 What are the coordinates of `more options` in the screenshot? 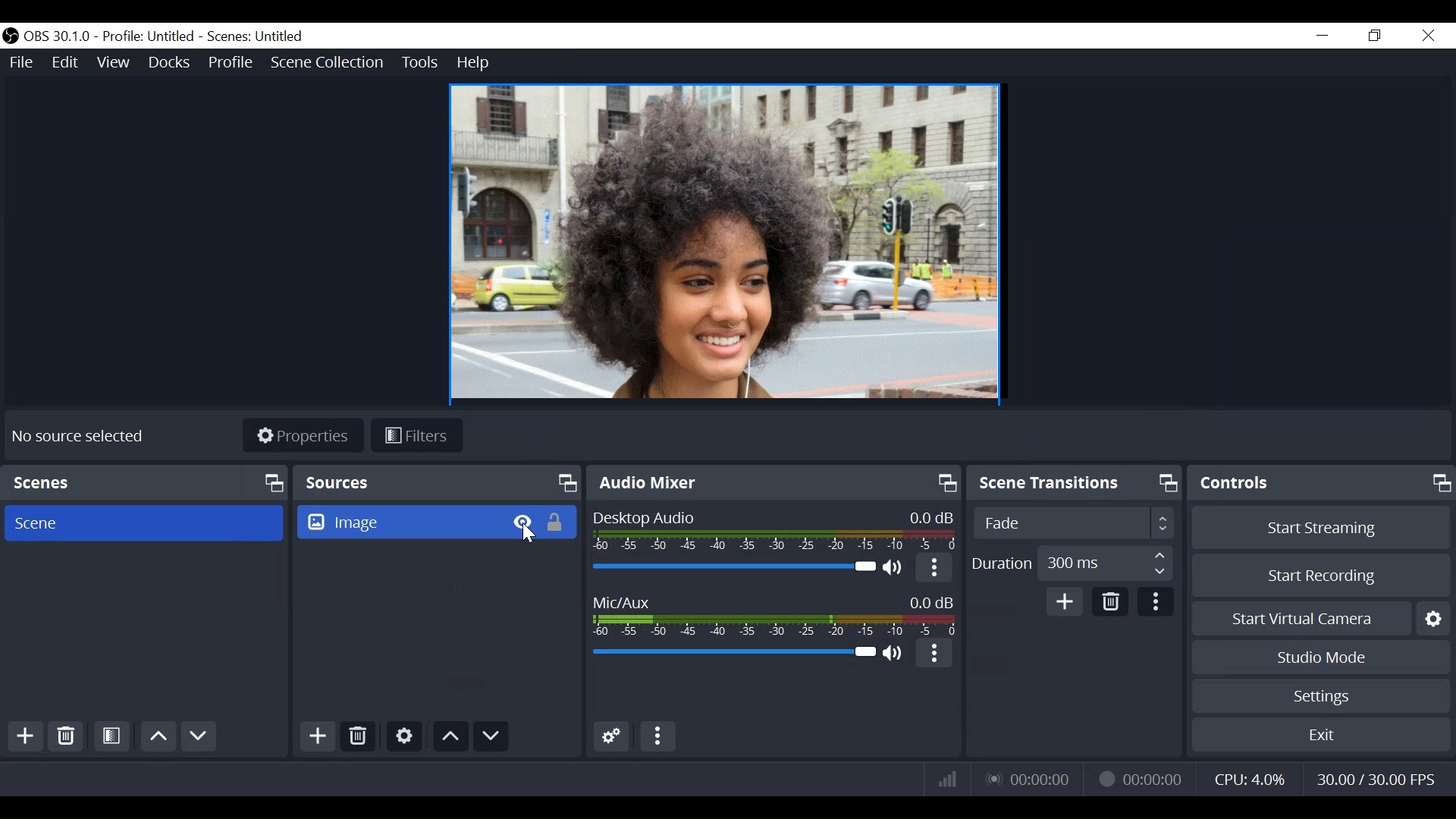 It's located at (659, 737).